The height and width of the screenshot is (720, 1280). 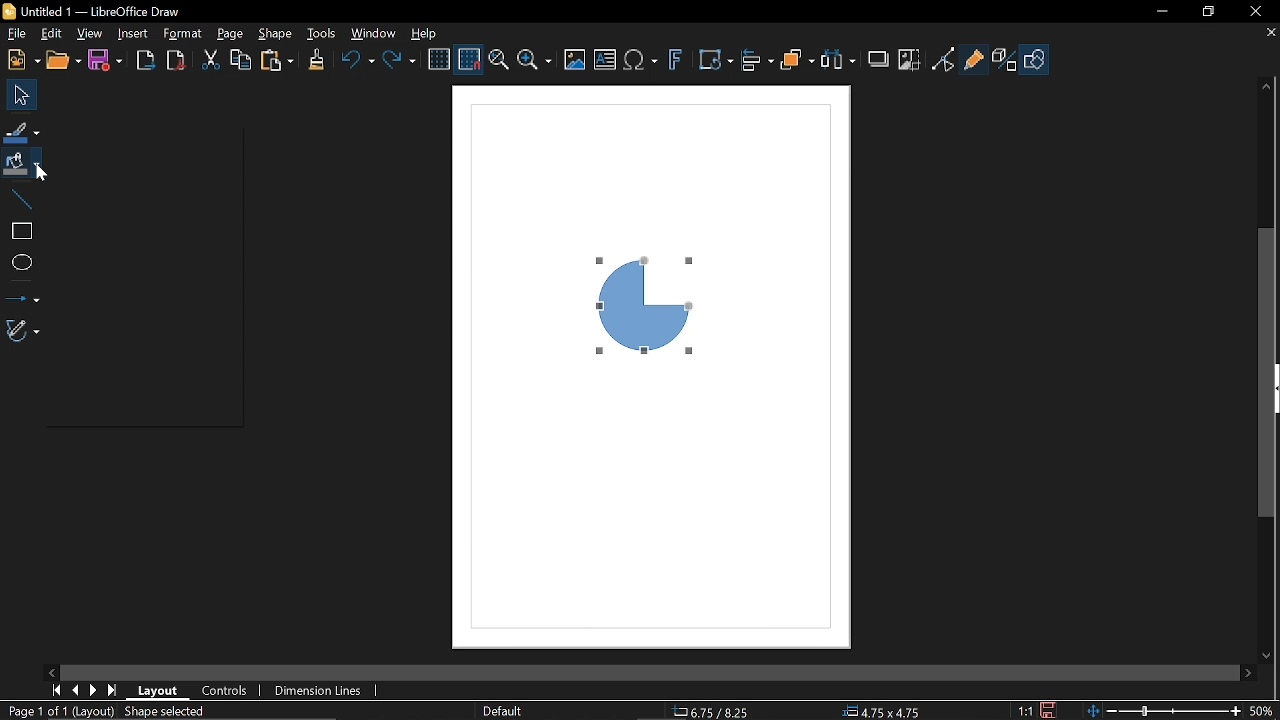 What do you see at coordinates (427, 34) in the screenshot?
I see `help` at bounding box center [427, 34].